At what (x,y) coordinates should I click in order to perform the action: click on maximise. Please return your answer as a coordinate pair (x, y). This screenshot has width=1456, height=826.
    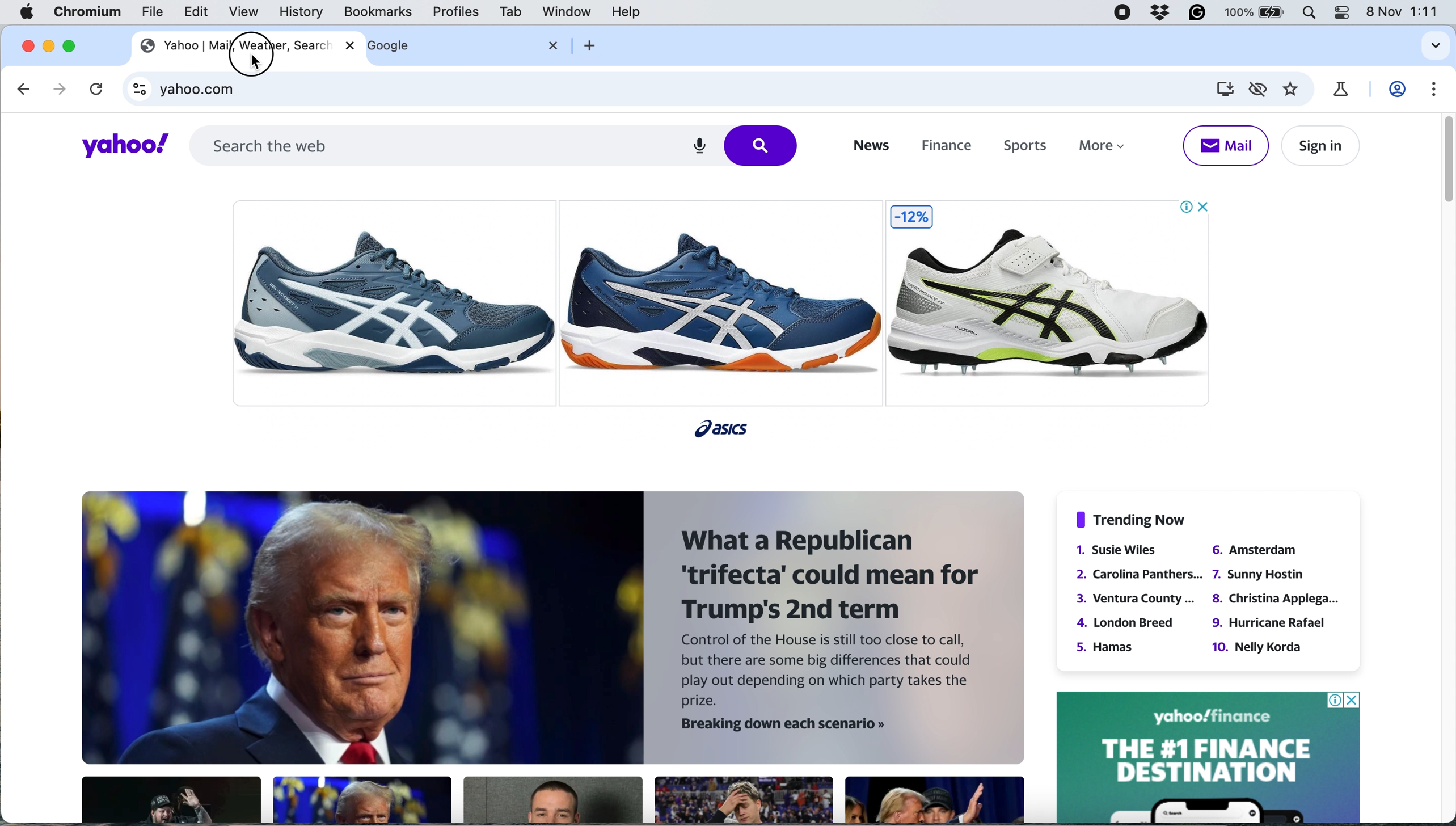
    Looking at the image, I should click on (74, 45).